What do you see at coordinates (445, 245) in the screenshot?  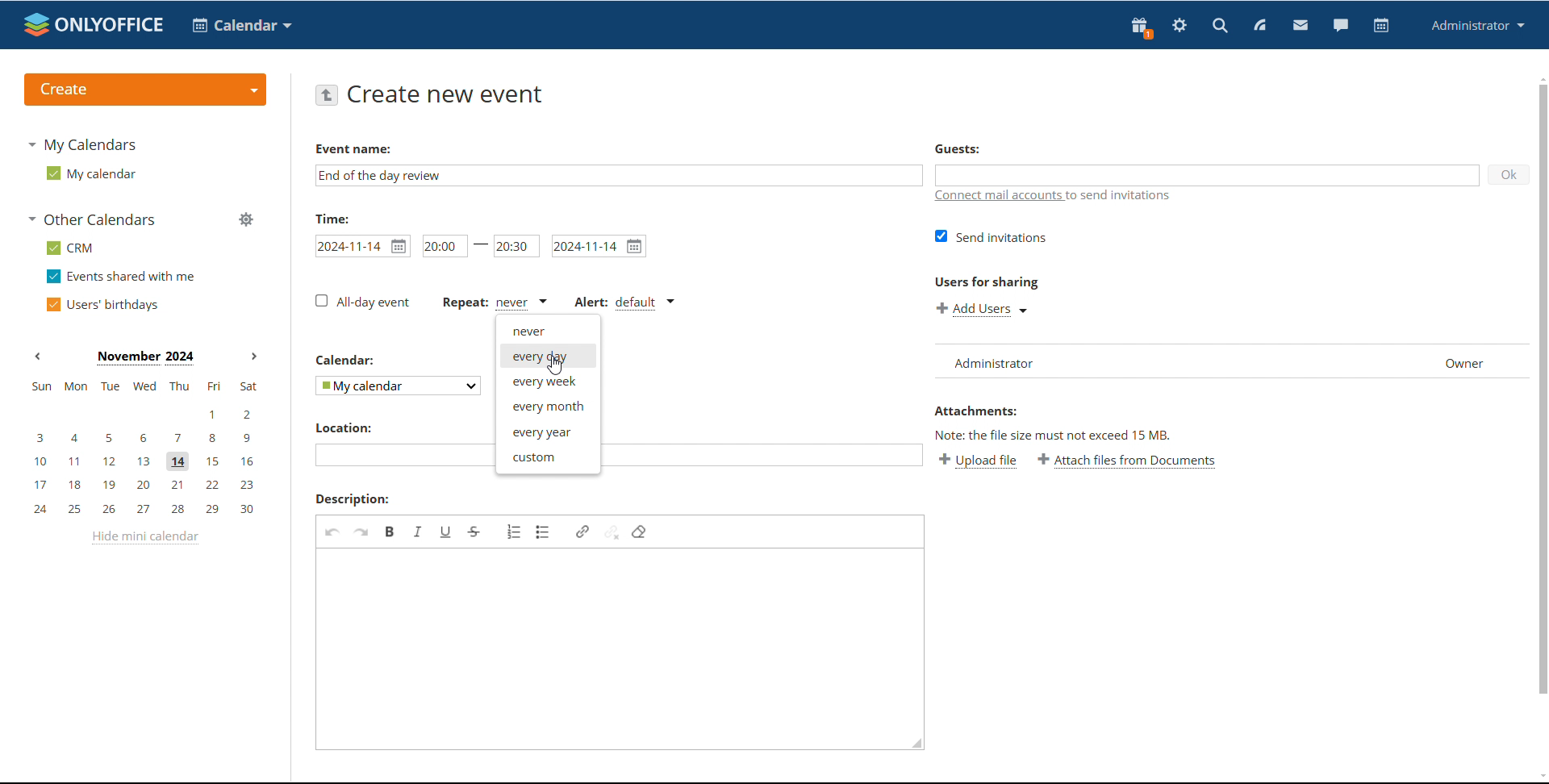 I see `start time set` at bounding box center [445, 245].